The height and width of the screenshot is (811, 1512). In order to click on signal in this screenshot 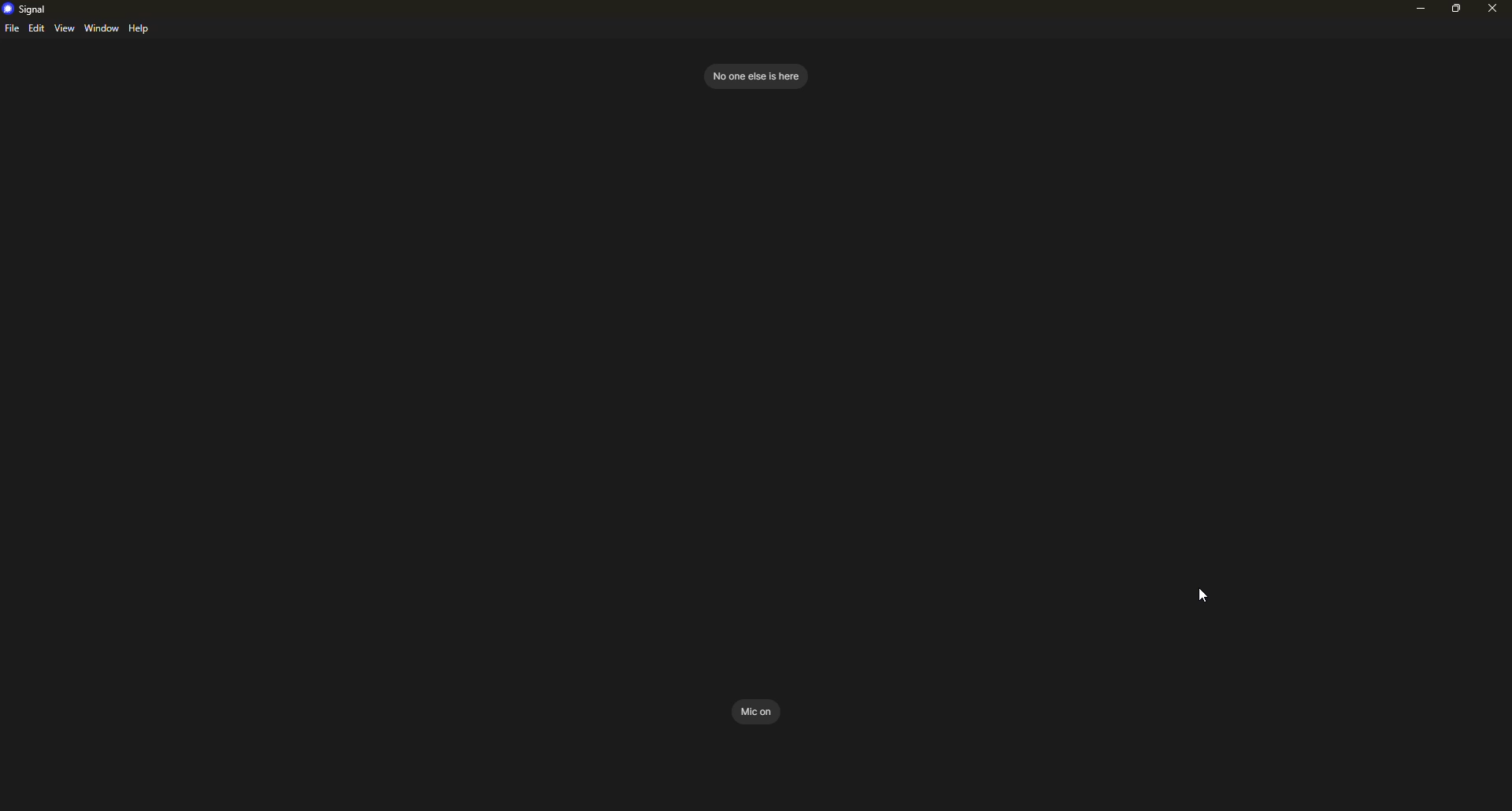, I will do `click(27, 8)`.